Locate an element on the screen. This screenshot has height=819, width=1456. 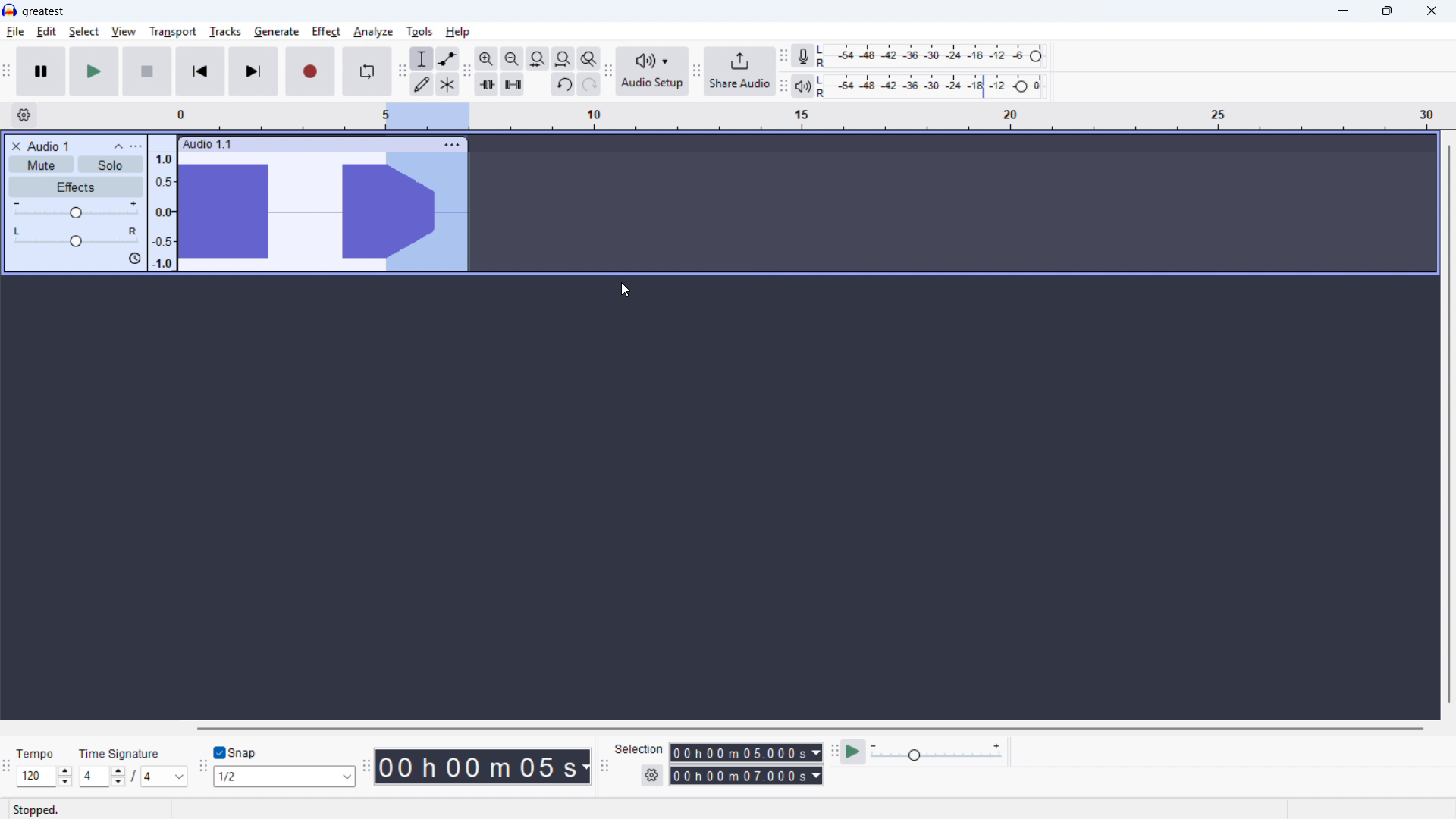
Collapse  is located at coordinates (118, 146).